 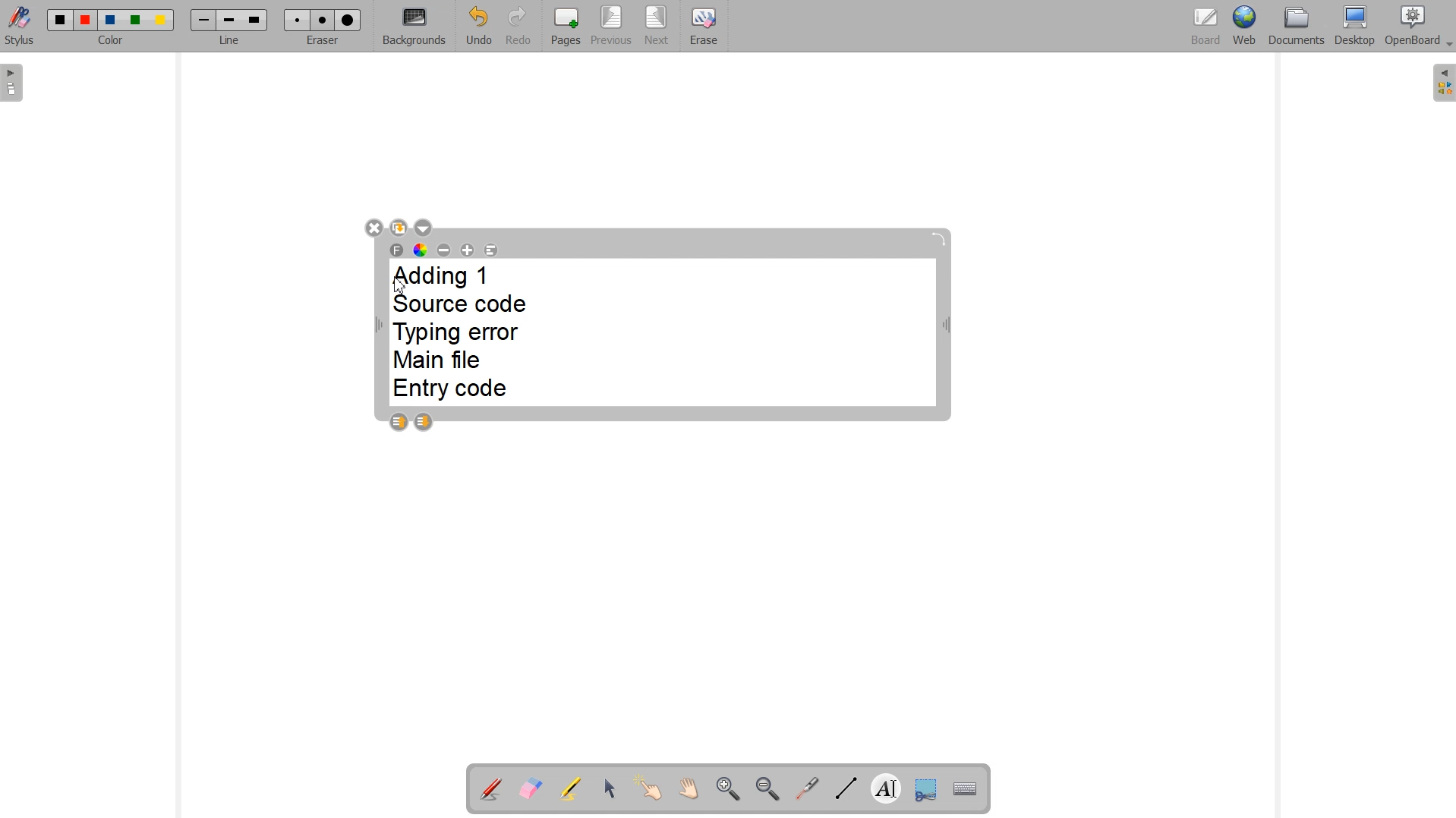 I want to click on Previous, so click(x=611, y=27).